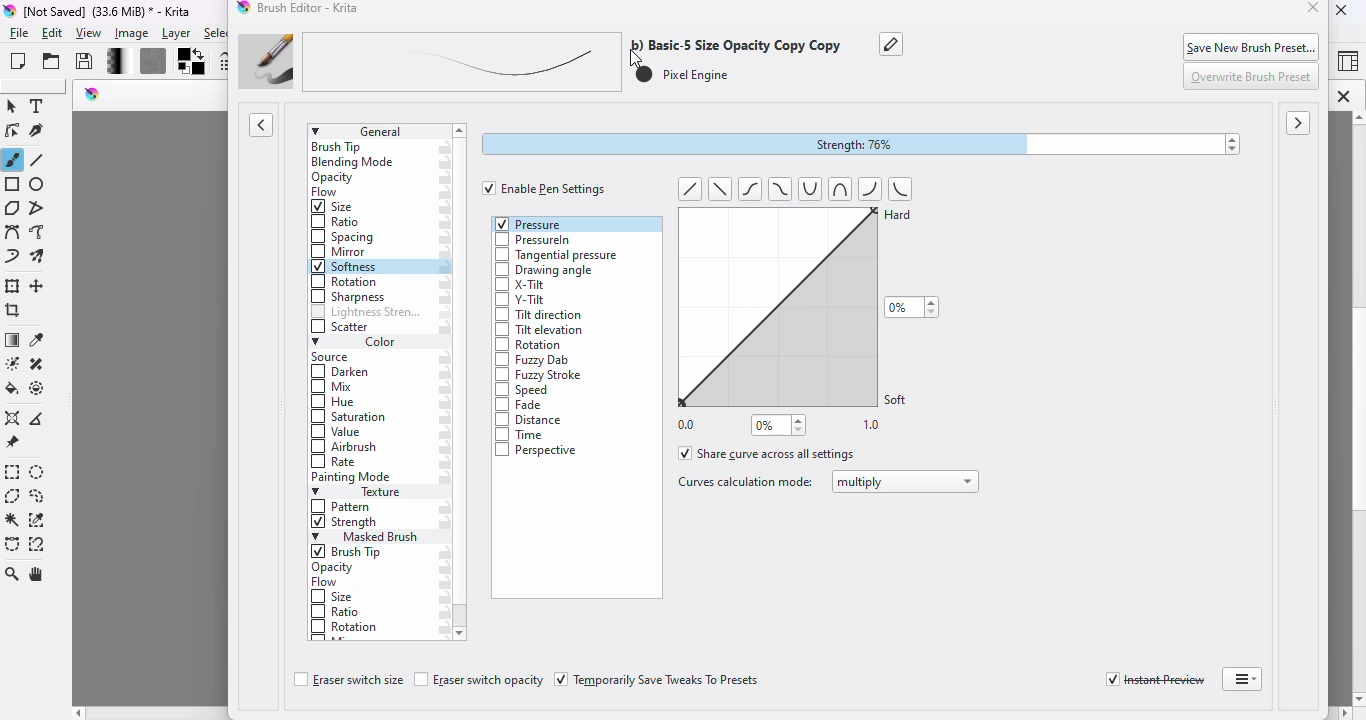  Describe the element at coordinates (862, 145) in the screenshot. I see `strength 76%` at that location.